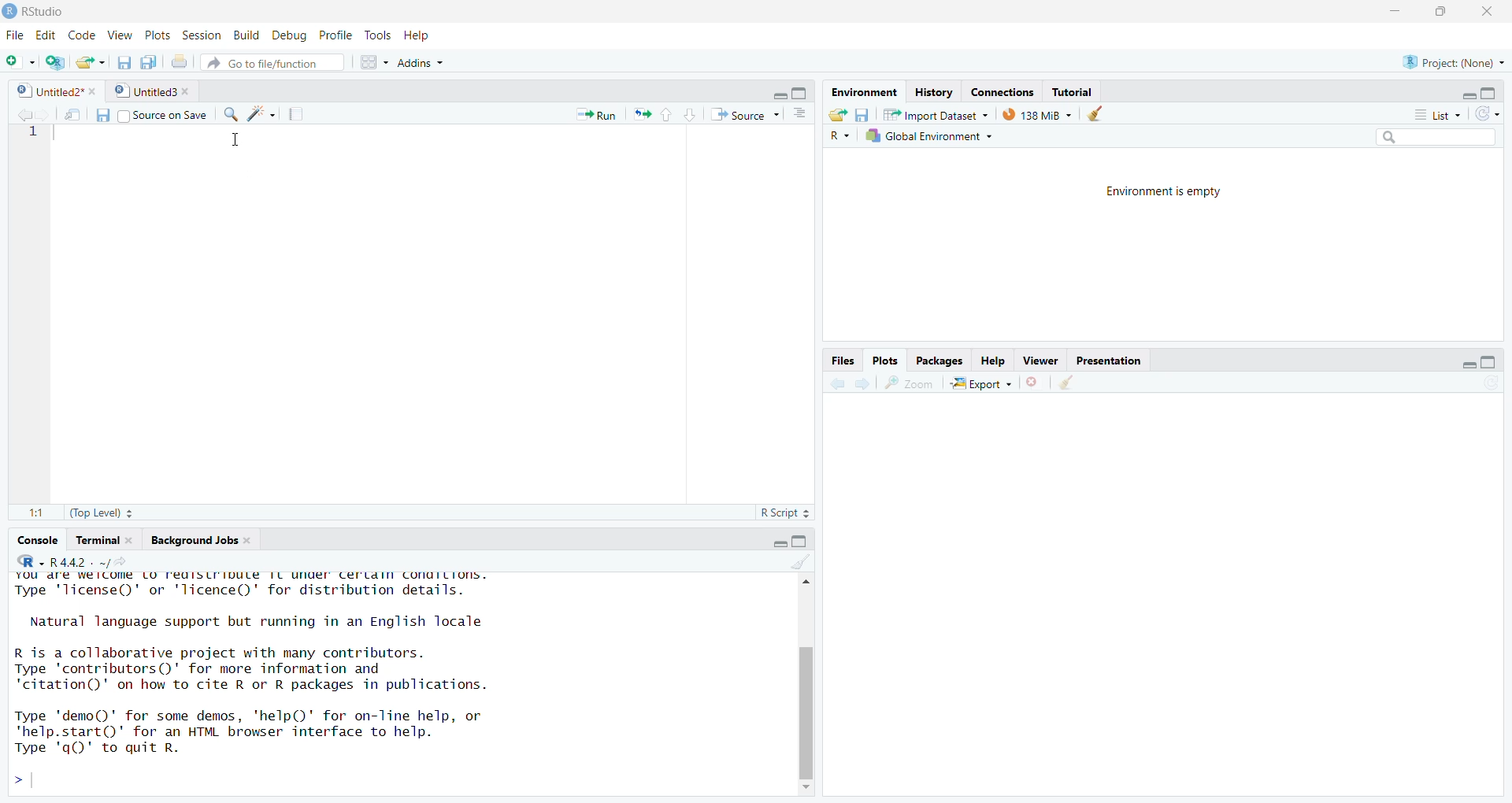  Describe the element at coordinates (830, 138) in the screenshot. I see `Language` at that location.